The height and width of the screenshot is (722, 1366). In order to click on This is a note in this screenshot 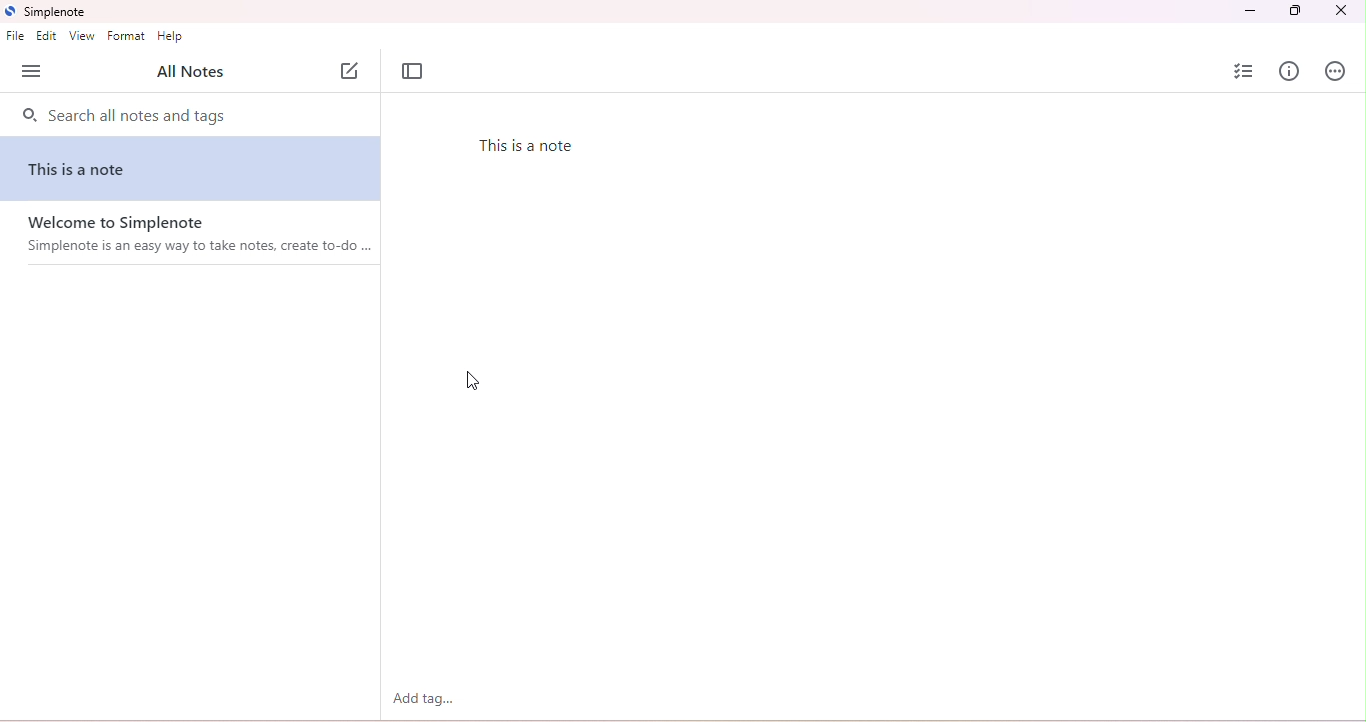, I will do `click(83, 170)`.